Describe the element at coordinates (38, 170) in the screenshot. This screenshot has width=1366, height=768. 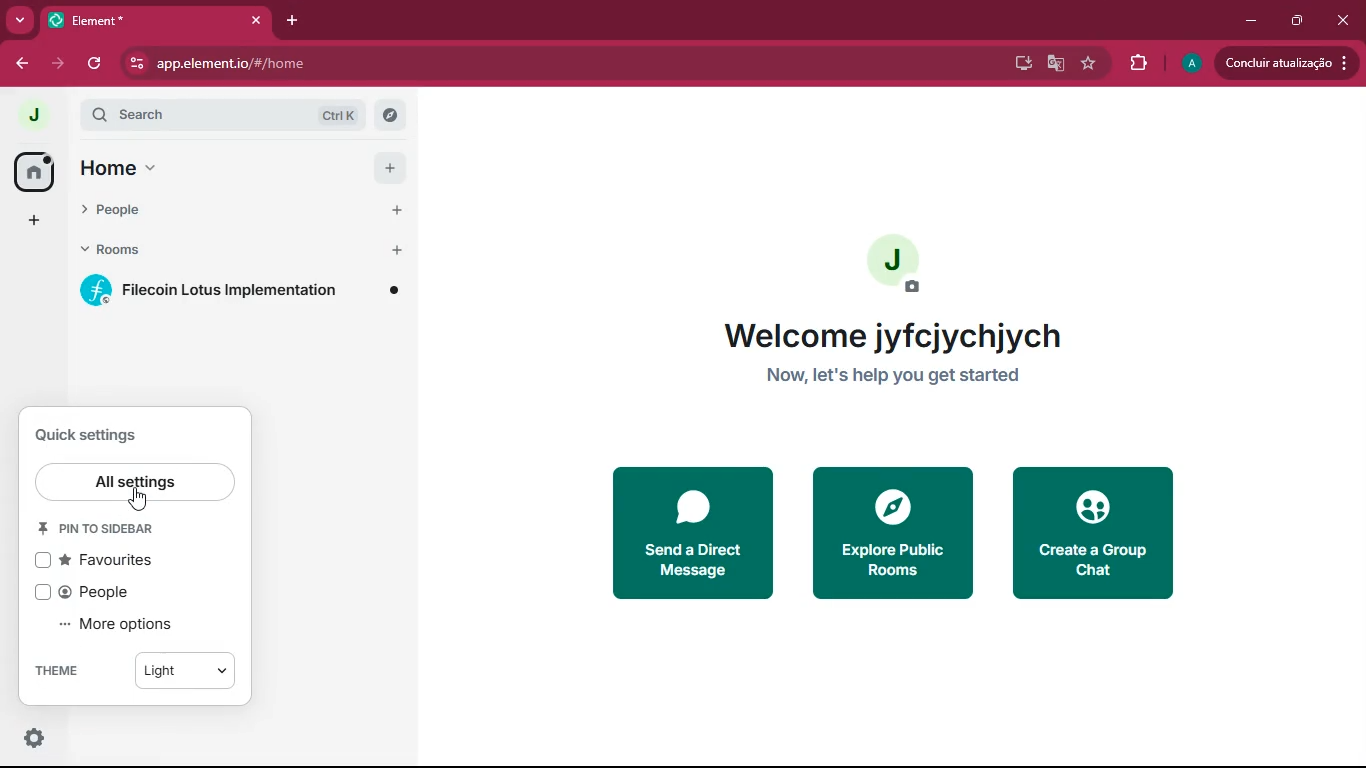
I see `home` at that location.